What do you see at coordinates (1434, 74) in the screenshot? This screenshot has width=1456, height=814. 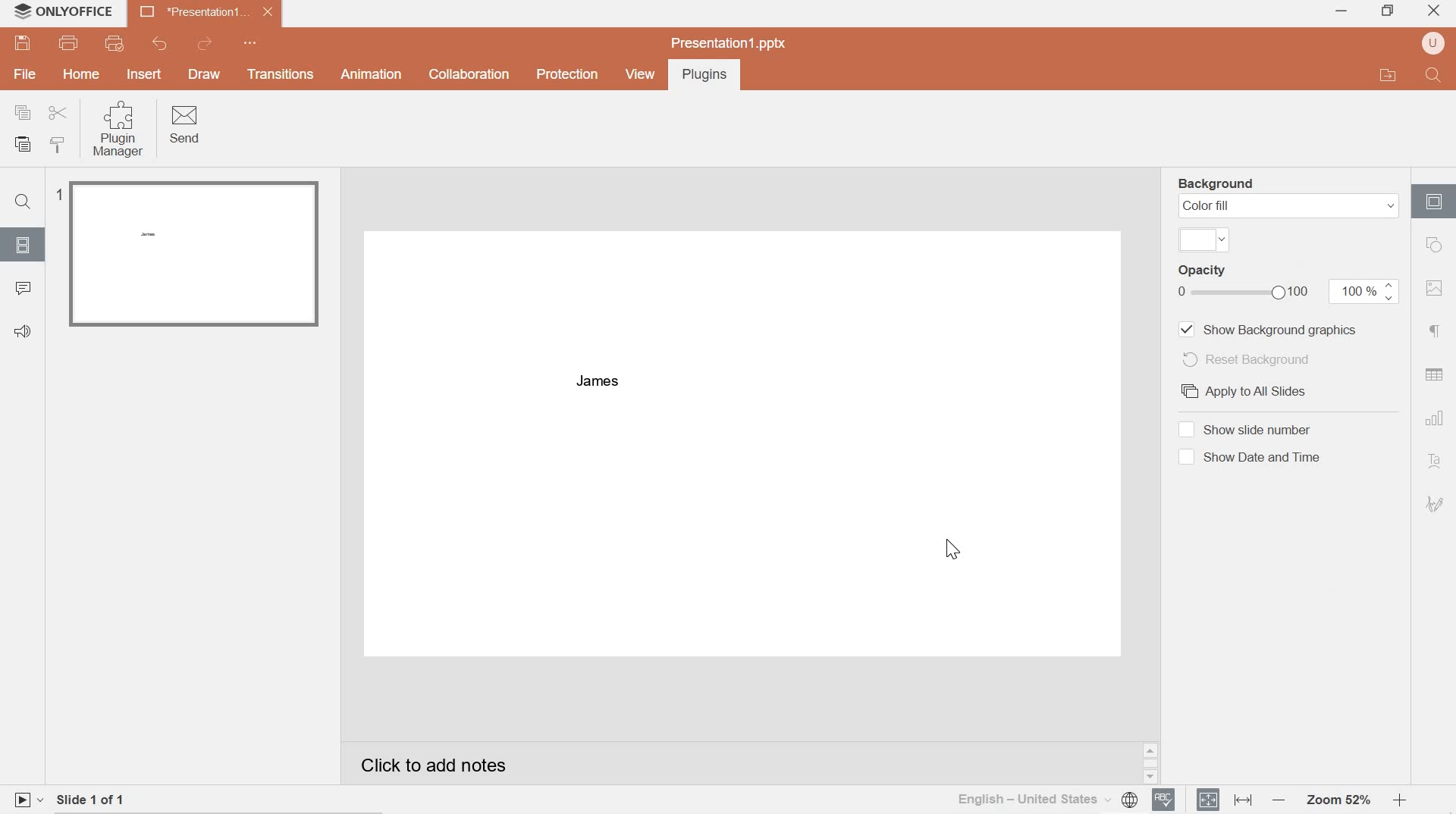 I see `Find` at bounding box center [1434, 74].